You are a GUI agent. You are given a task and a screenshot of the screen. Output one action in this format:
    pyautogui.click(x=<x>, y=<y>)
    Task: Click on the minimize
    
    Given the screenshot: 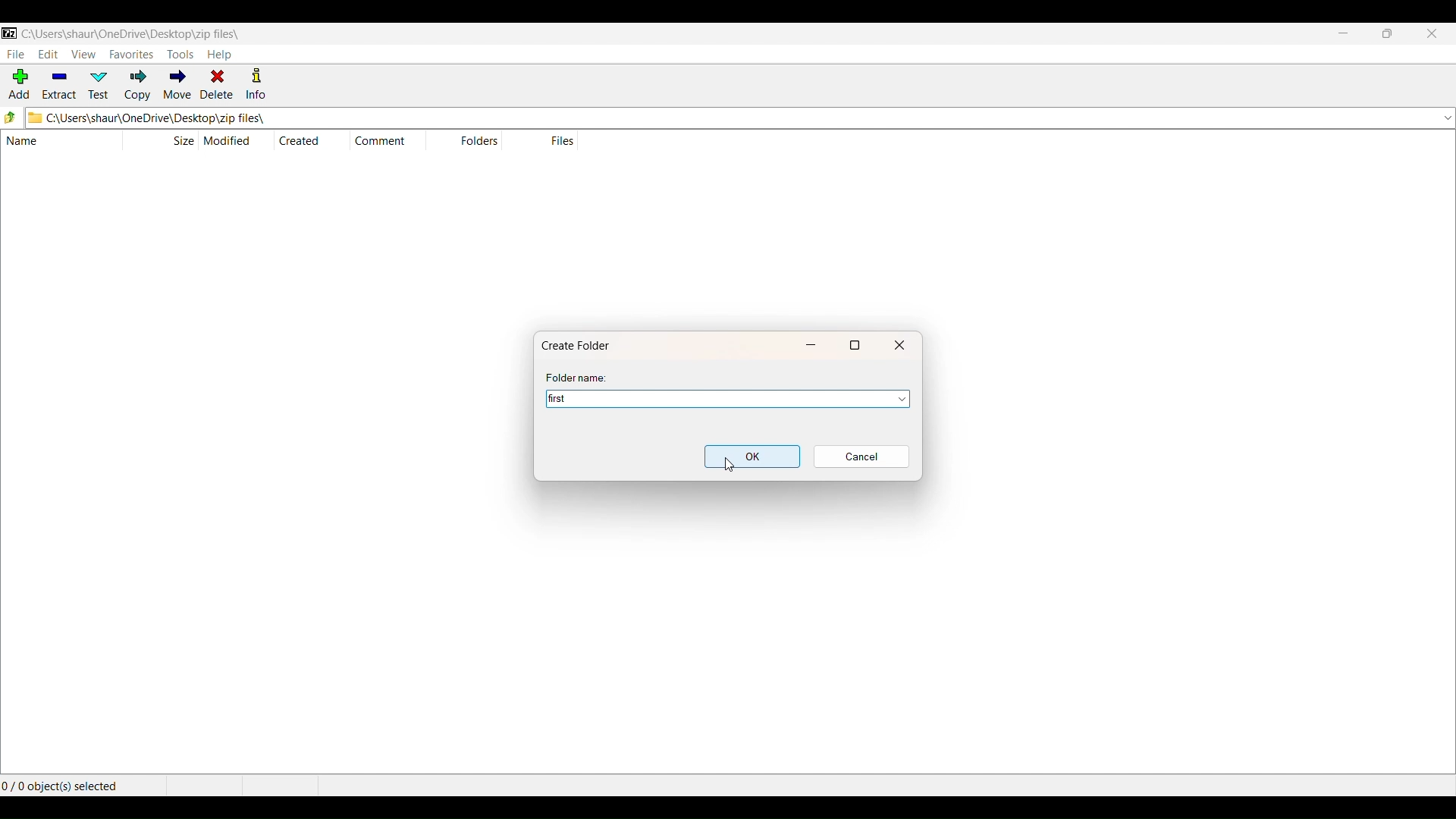 What is the action you would take?
    pyautogui.click(x=814, y=344)
    